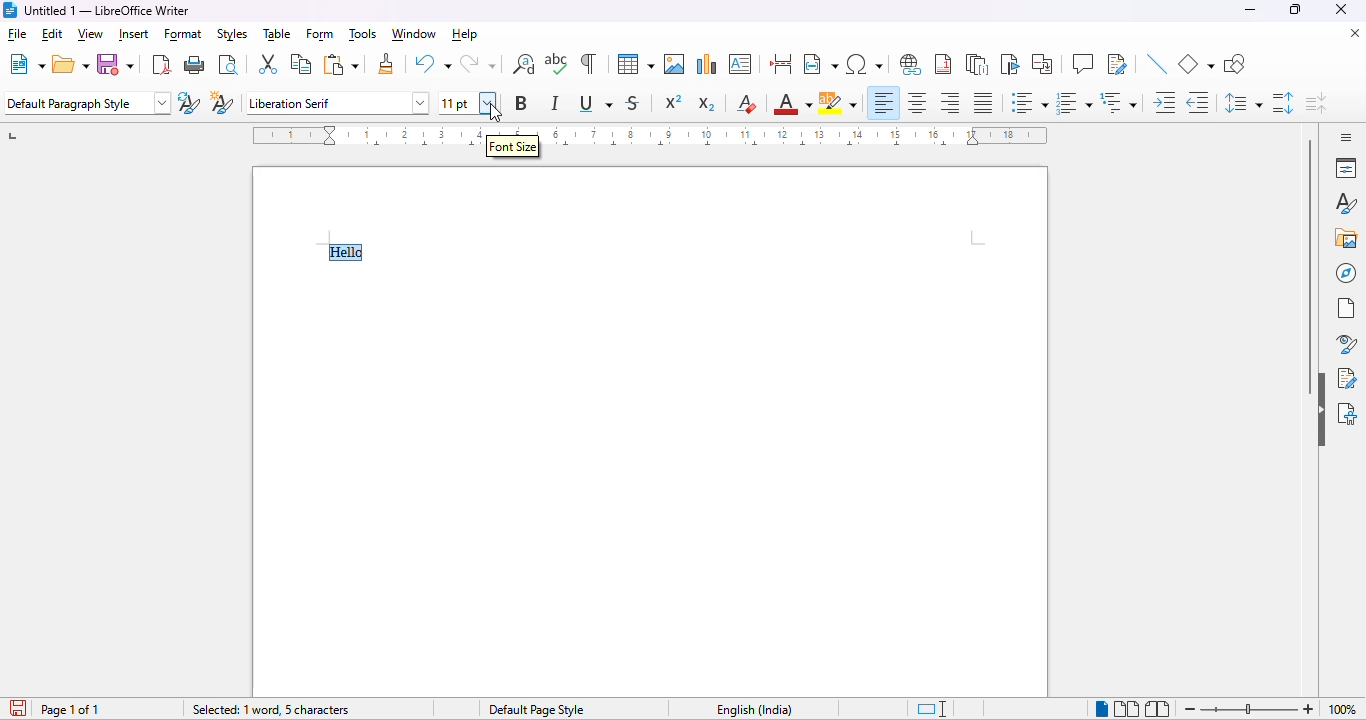  What do you see at coordinates (932, 709) in the screenshot?
I see `standard selection` at bounding box center [932, 709].